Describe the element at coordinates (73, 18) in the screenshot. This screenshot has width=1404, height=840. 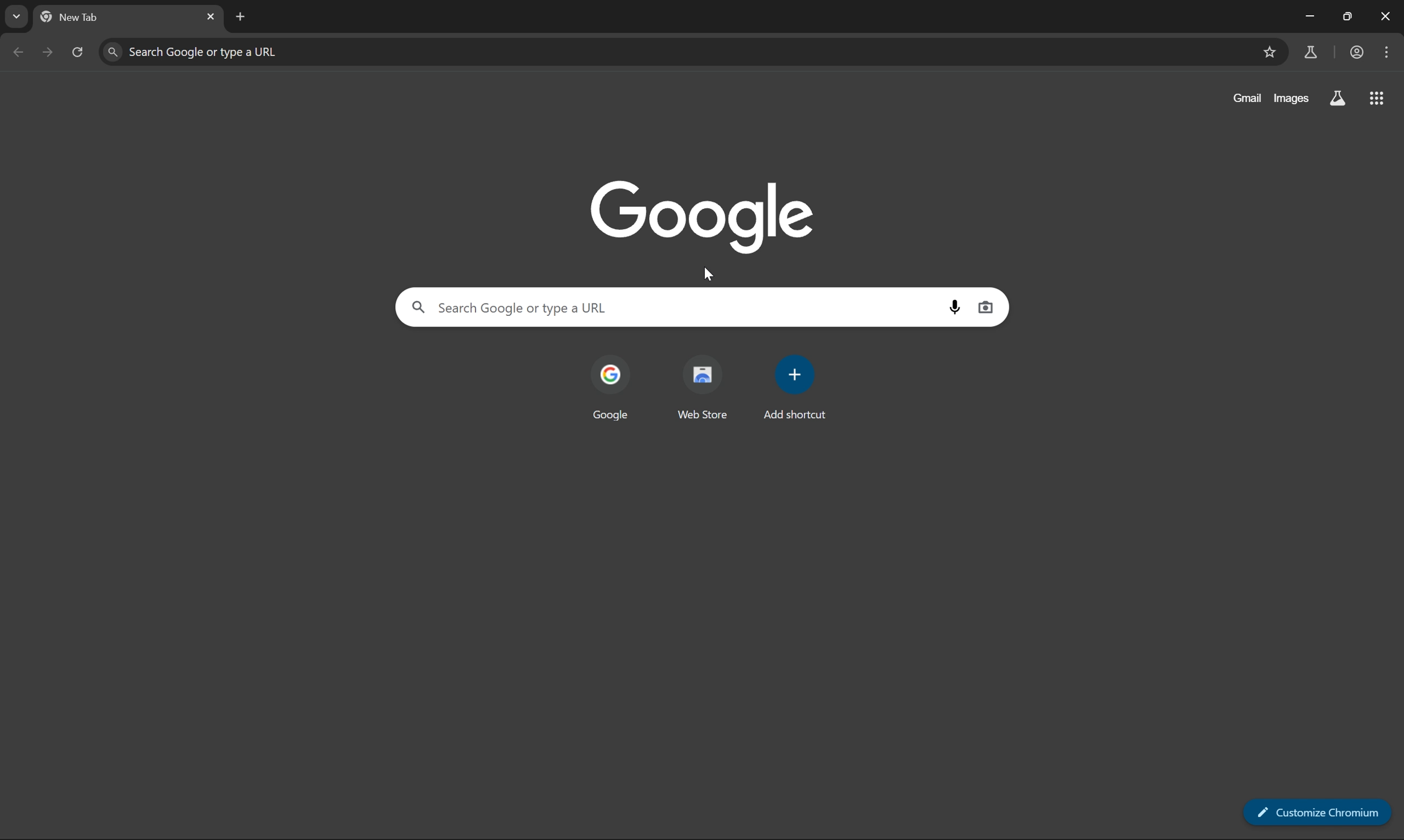
I see `new tab` at that location.